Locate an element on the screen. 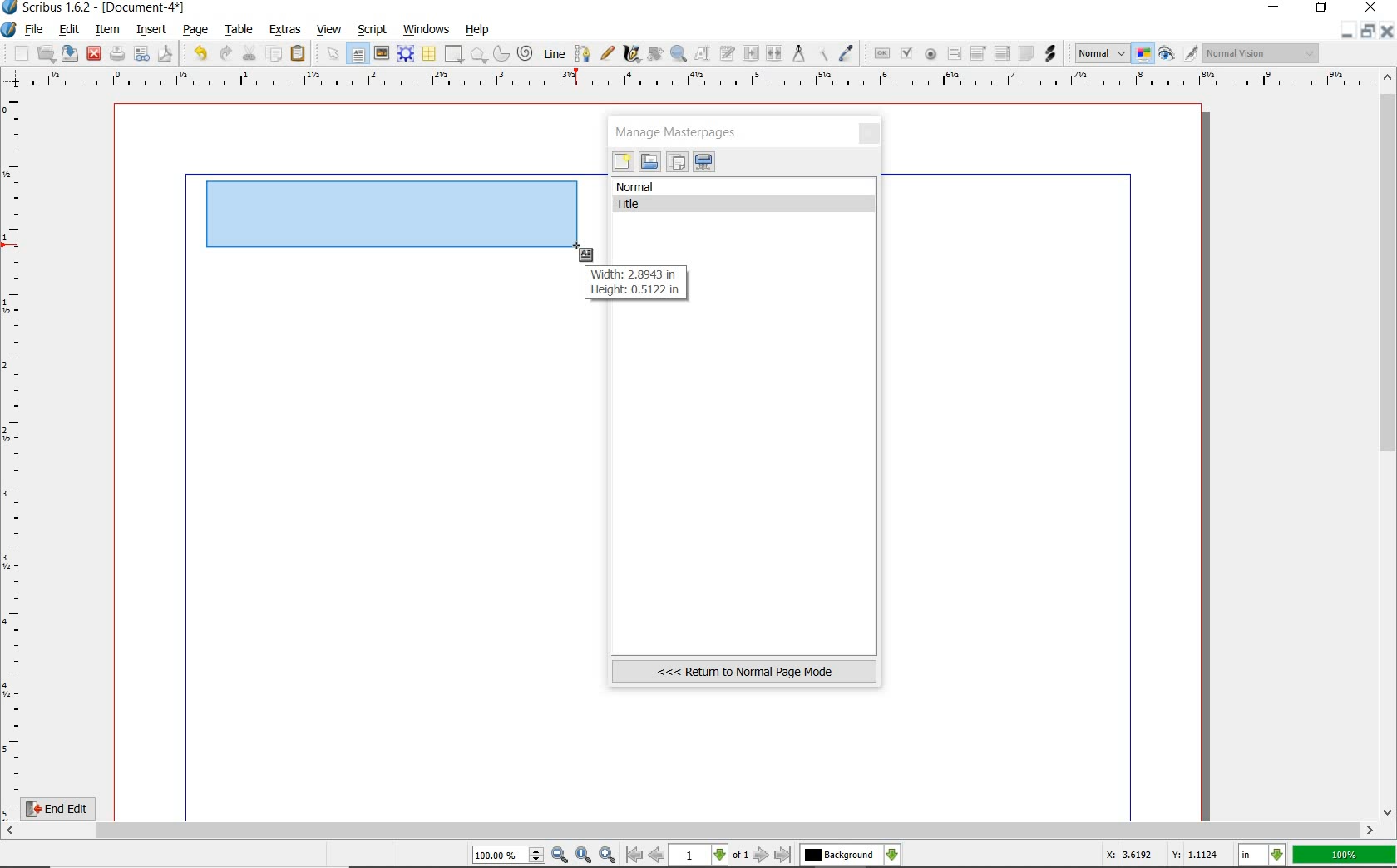  normal is located at coordinates (745, 187).